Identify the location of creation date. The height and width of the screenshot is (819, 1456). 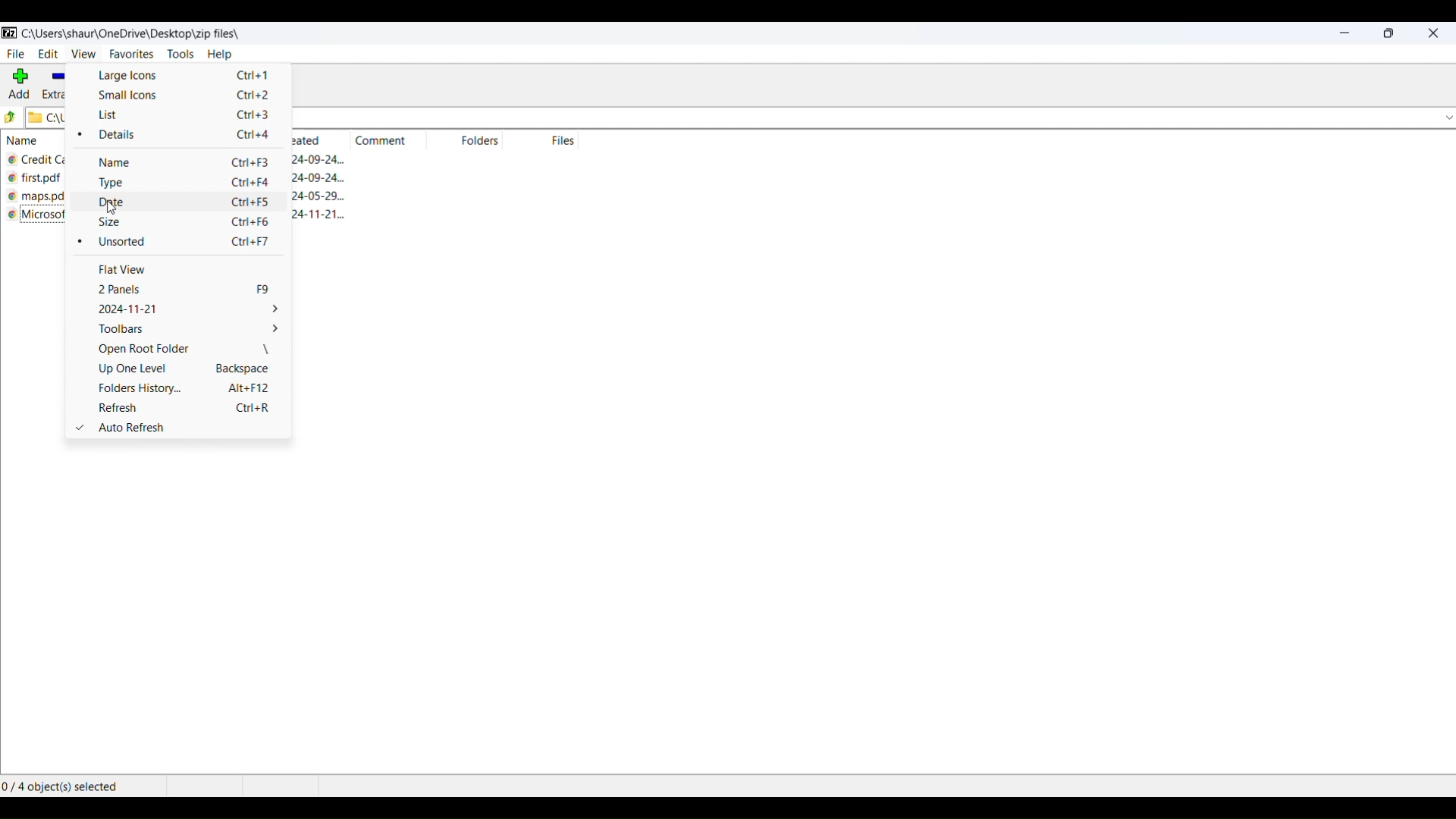
(326, 217).